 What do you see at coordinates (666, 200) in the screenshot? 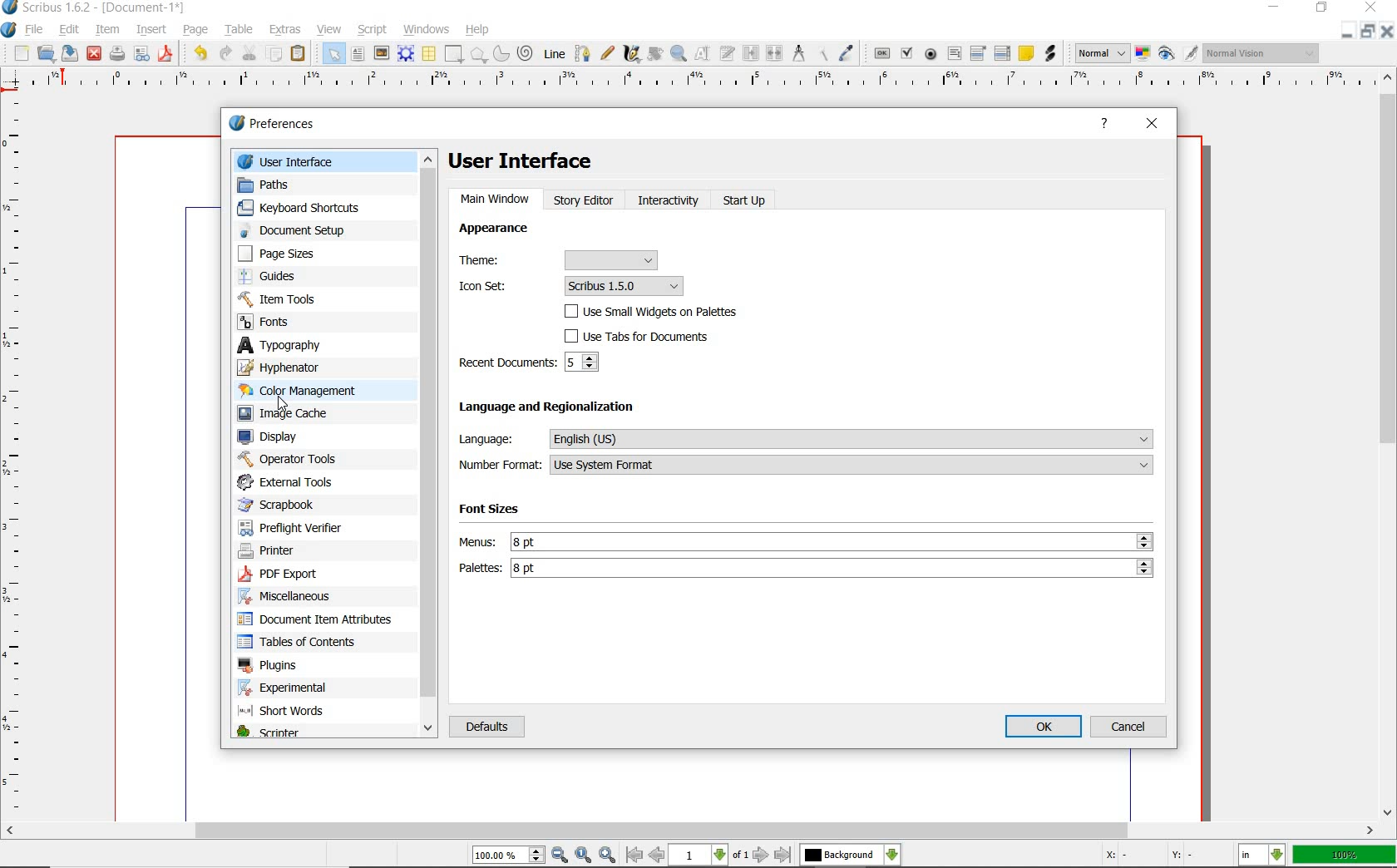
I see `INTERACTIVITY` at bounding box center [666, 200].